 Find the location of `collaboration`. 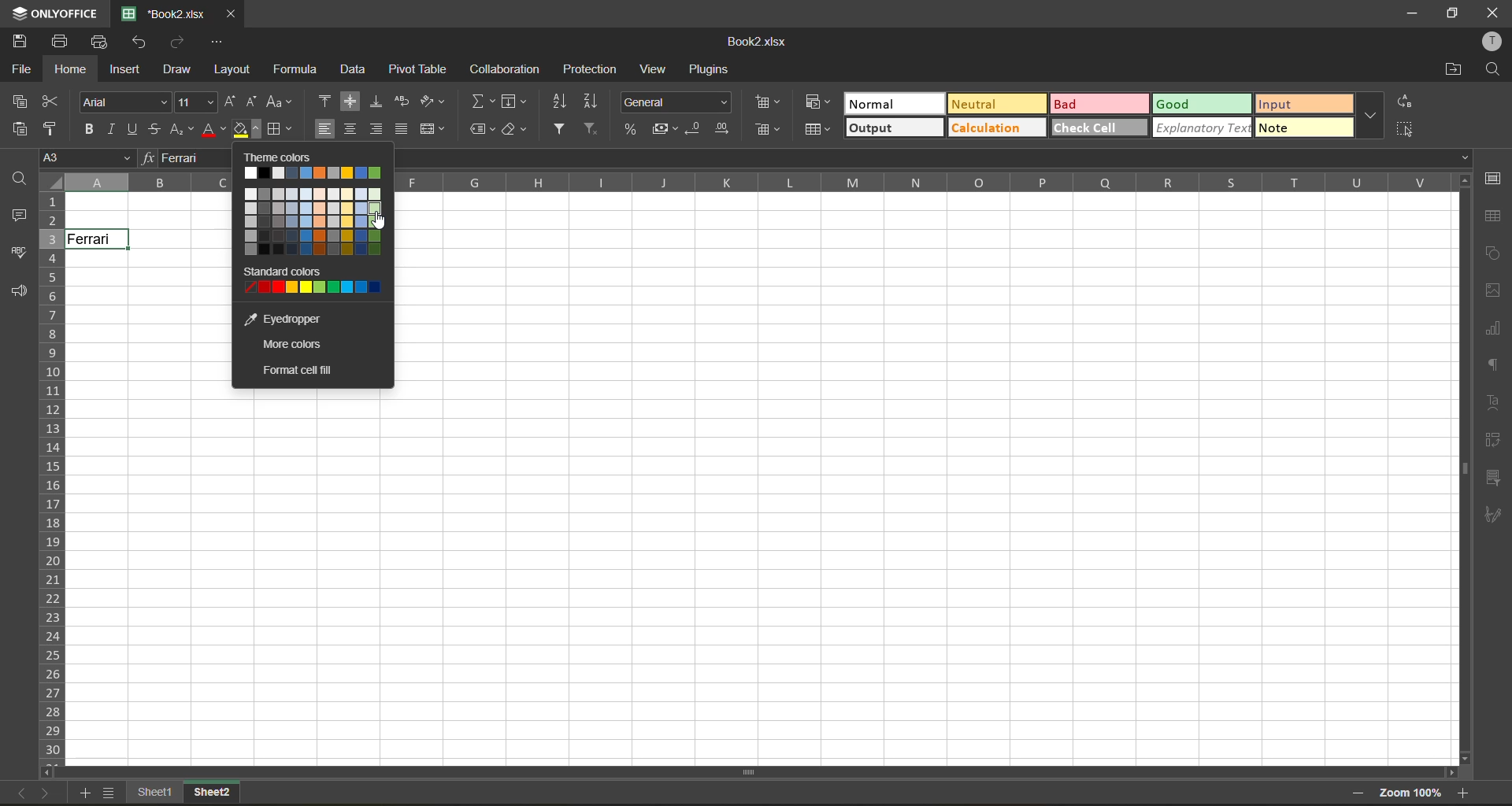

collaboration is located at coordinates (507, 70).